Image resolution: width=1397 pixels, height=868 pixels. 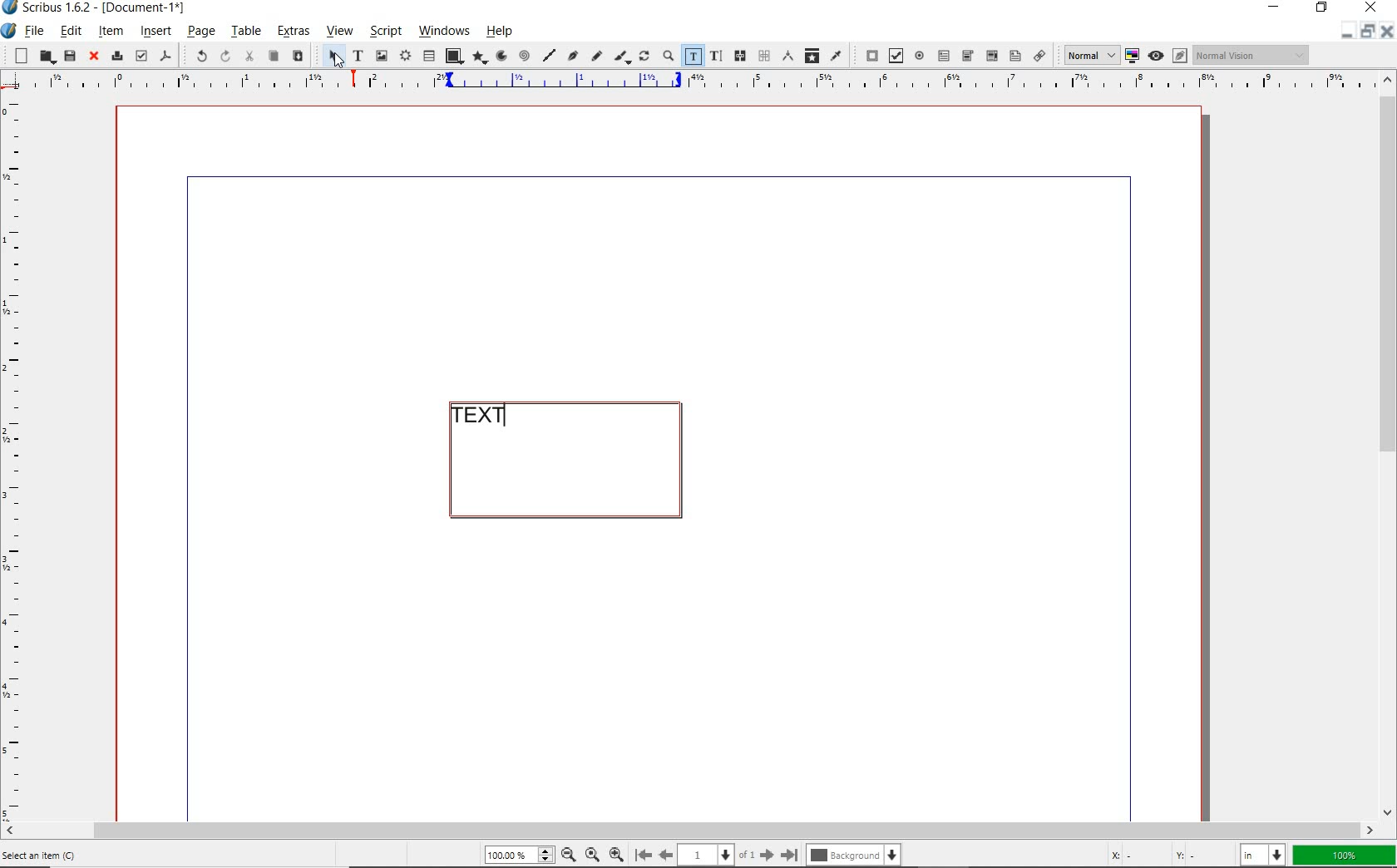 I want to click on unlink text frames, so click(x=764, y=57).